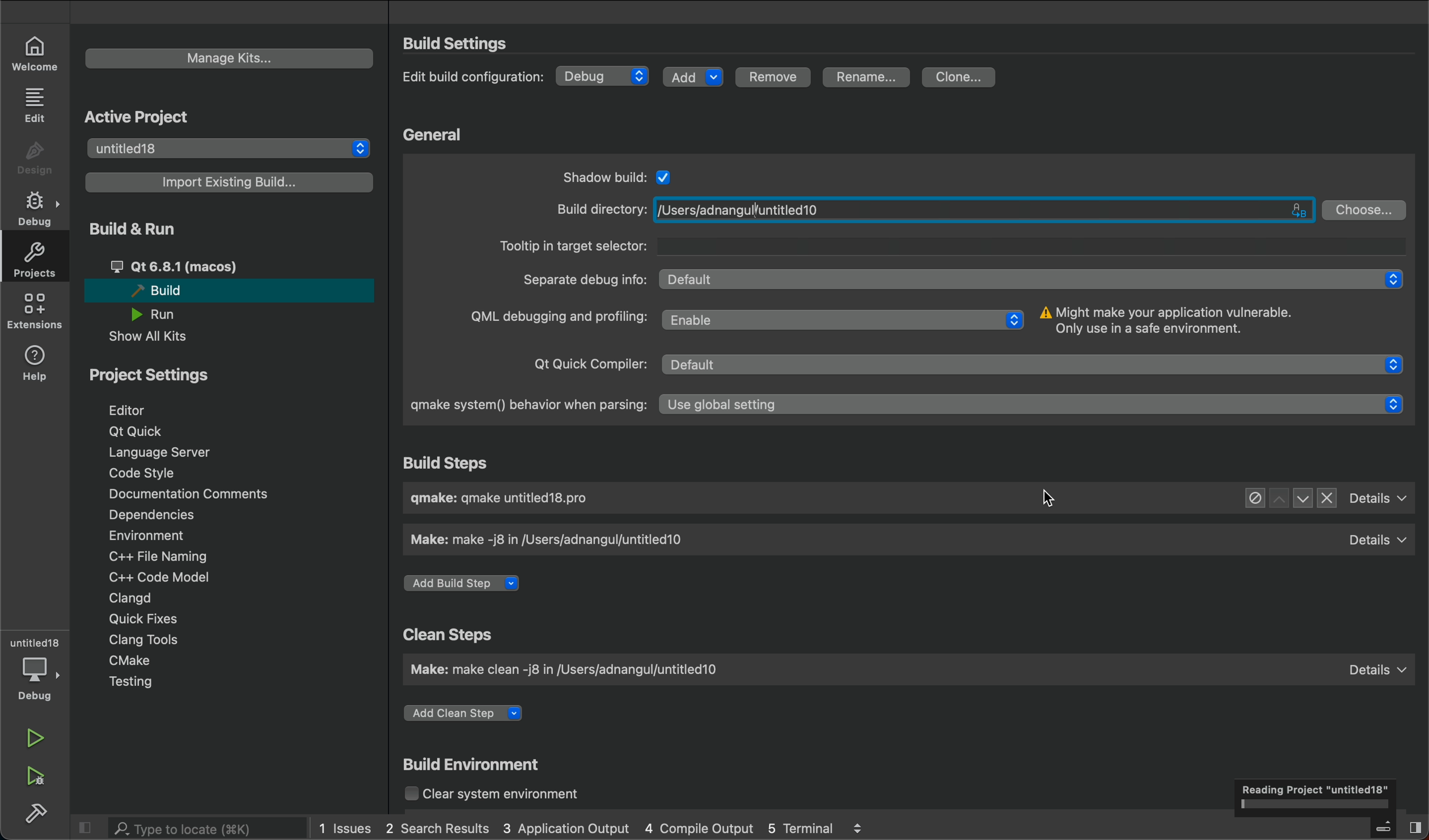 Image resolution: width=1429 pixels, height=840 pixels. Describe the element at coordinates (778, 77) in the screenshot. I see `Remove` at that location.